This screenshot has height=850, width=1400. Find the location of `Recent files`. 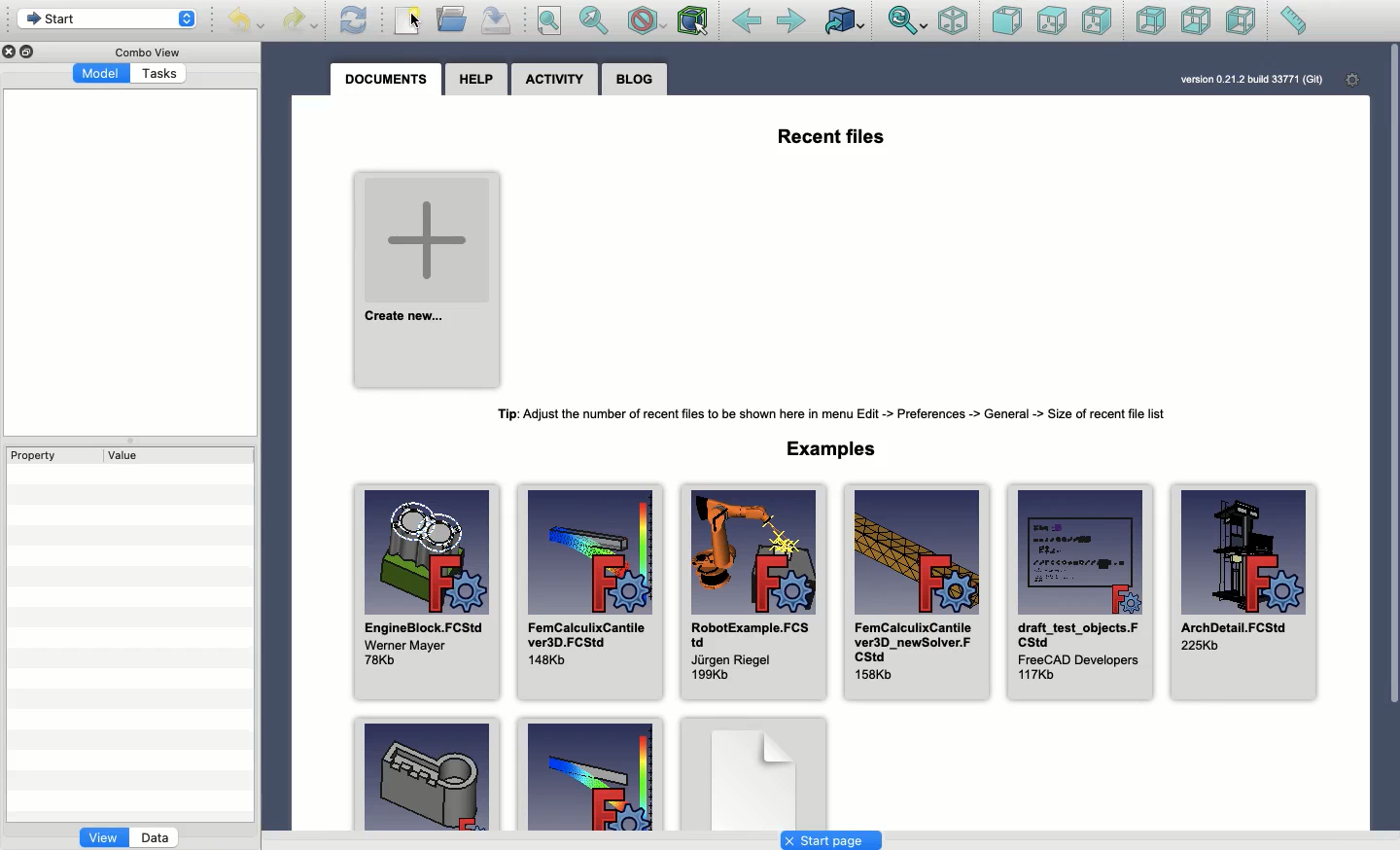

Recent files is located at coordinates (836, 137).